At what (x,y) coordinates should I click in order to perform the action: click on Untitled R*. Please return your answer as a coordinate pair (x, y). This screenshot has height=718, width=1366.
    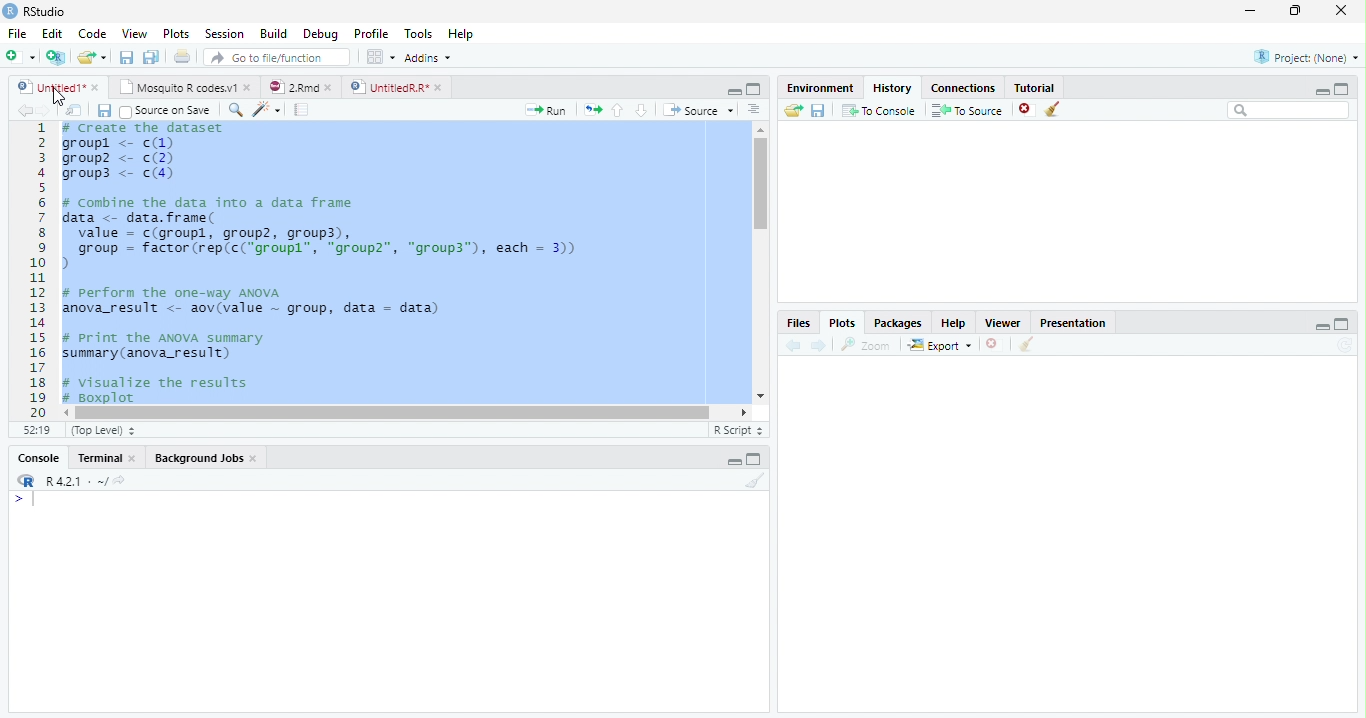
    Looking at the image, I should click on (396, 87).